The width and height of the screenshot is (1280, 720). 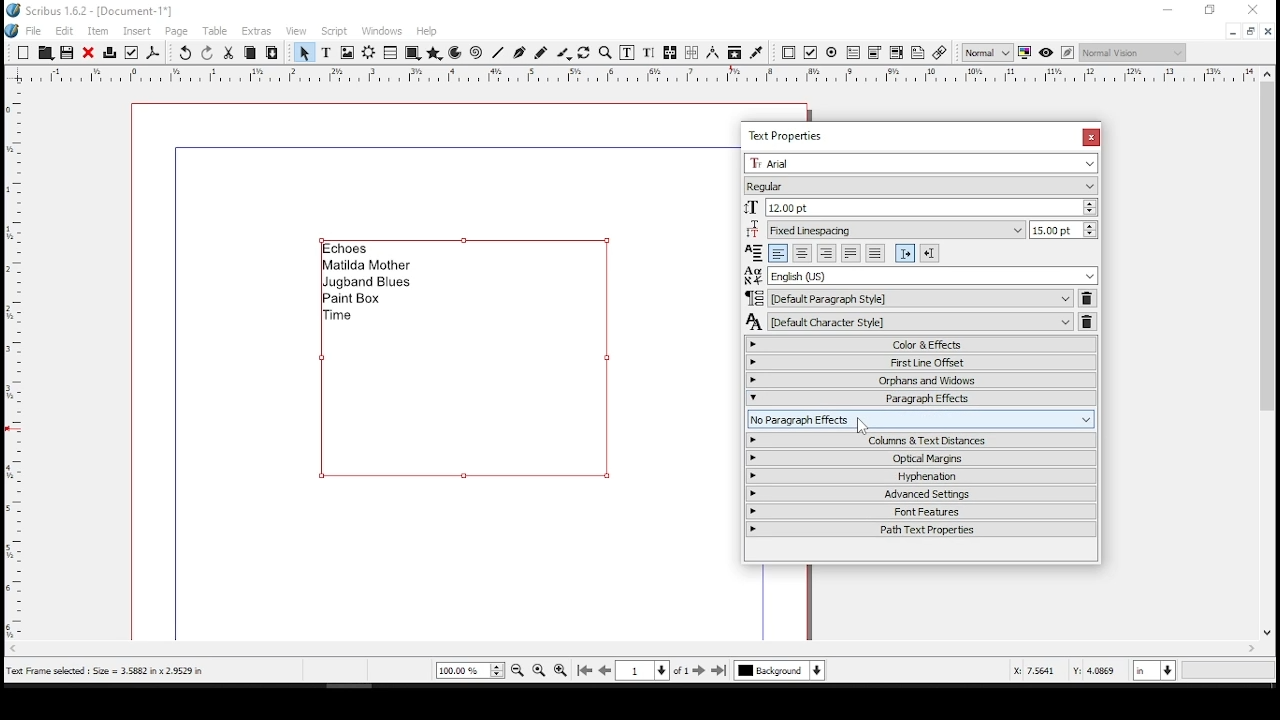 What do you see at coordinates (564, 53) in the screenshot?
I see `calligraphy lines` at bounding box center [564, 53].